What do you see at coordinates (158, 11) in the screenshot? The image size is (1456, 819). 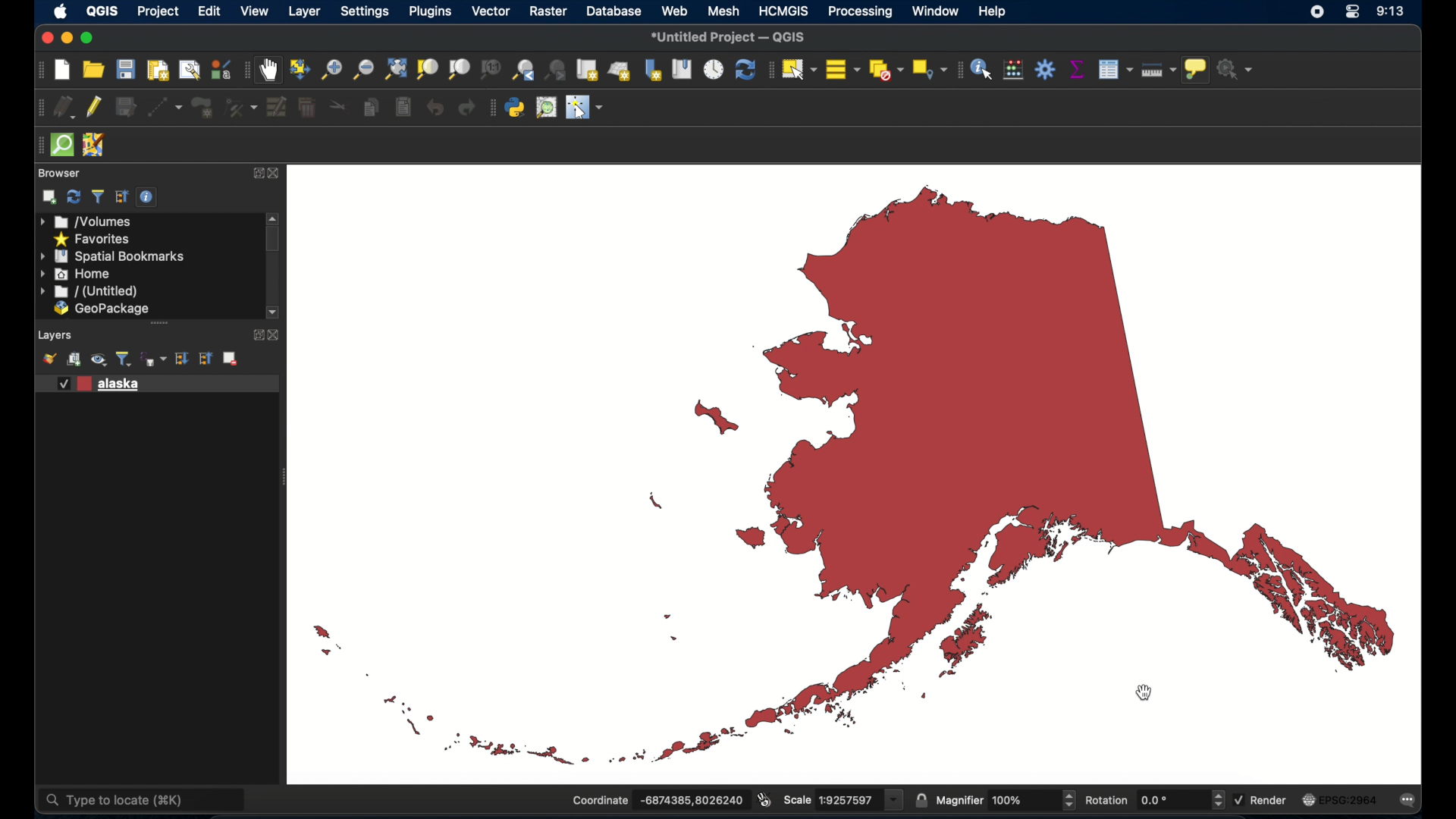 I see `project` at bounding box center [158, 11].